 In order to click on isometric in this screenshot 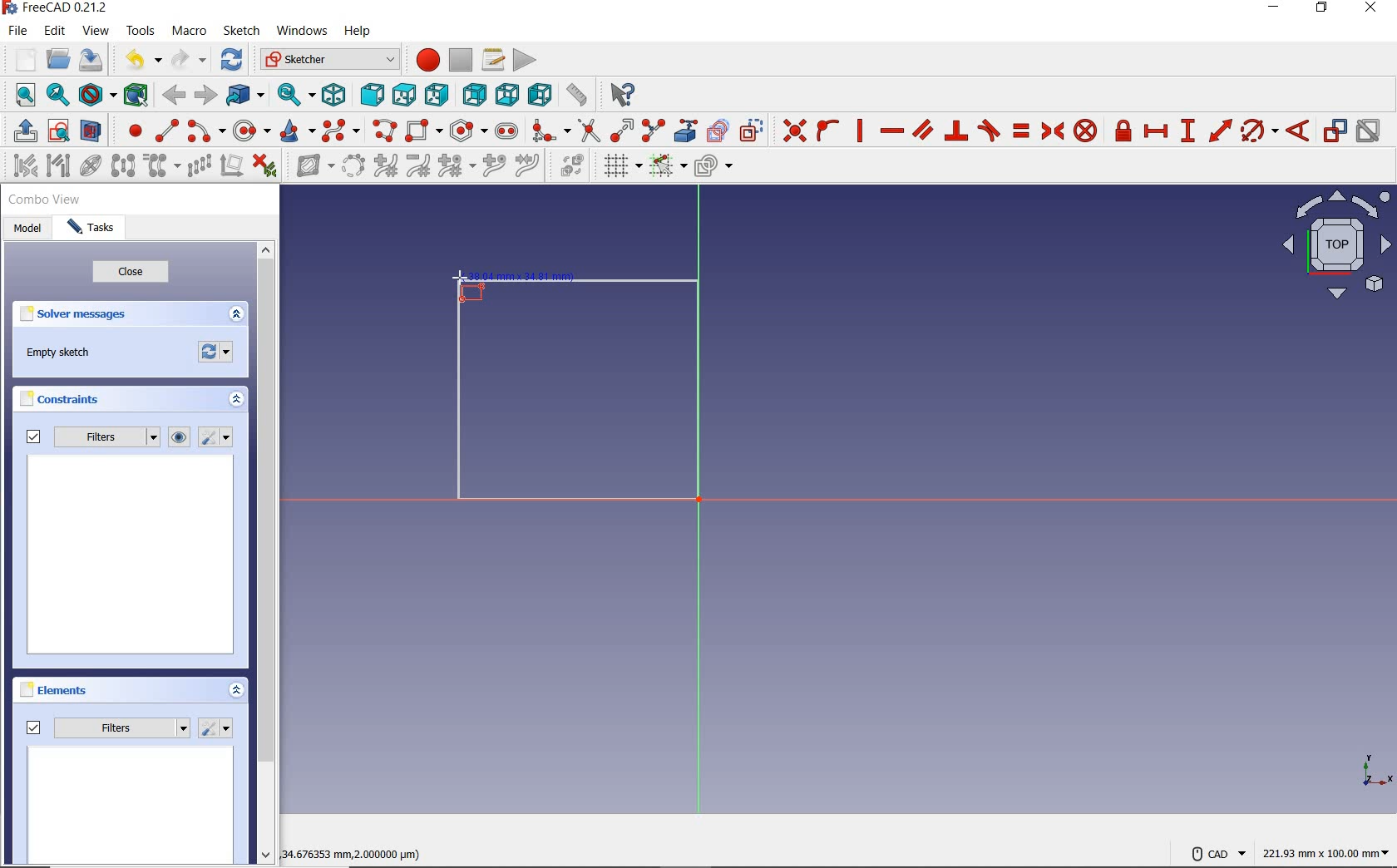, I will do `click(337, 95)`.